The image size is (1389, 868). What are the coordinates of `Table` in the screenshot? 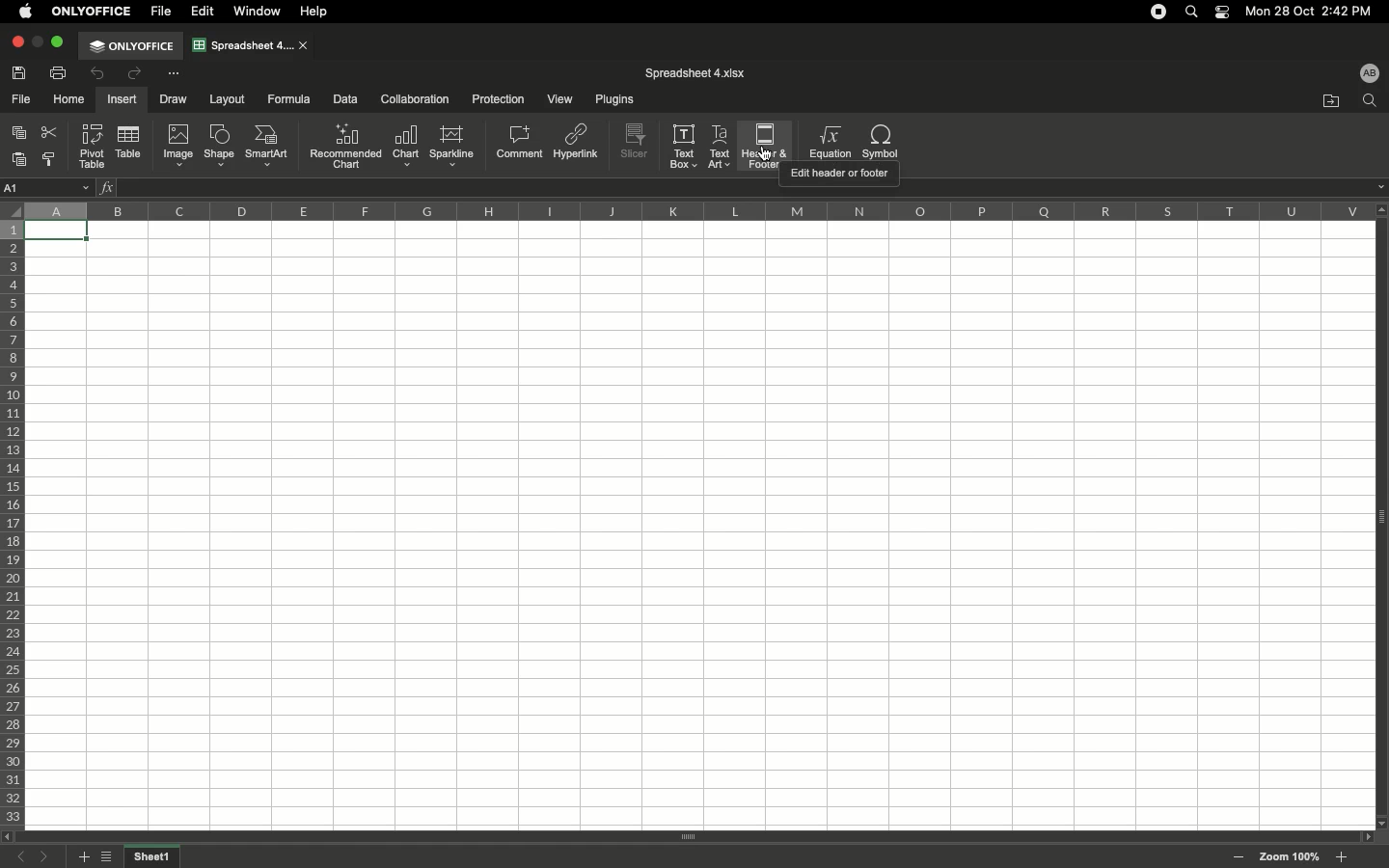 It's located at (126, 144).